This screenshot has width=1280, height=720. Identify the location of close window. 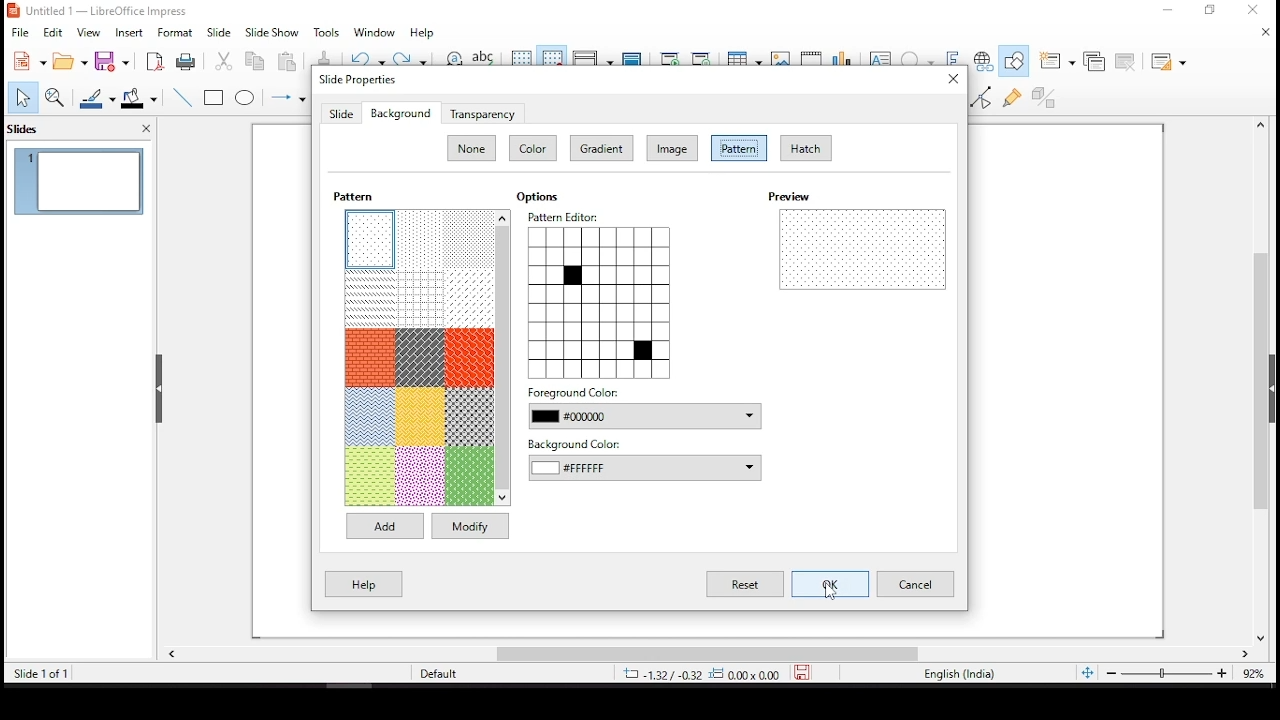
(954, 77).